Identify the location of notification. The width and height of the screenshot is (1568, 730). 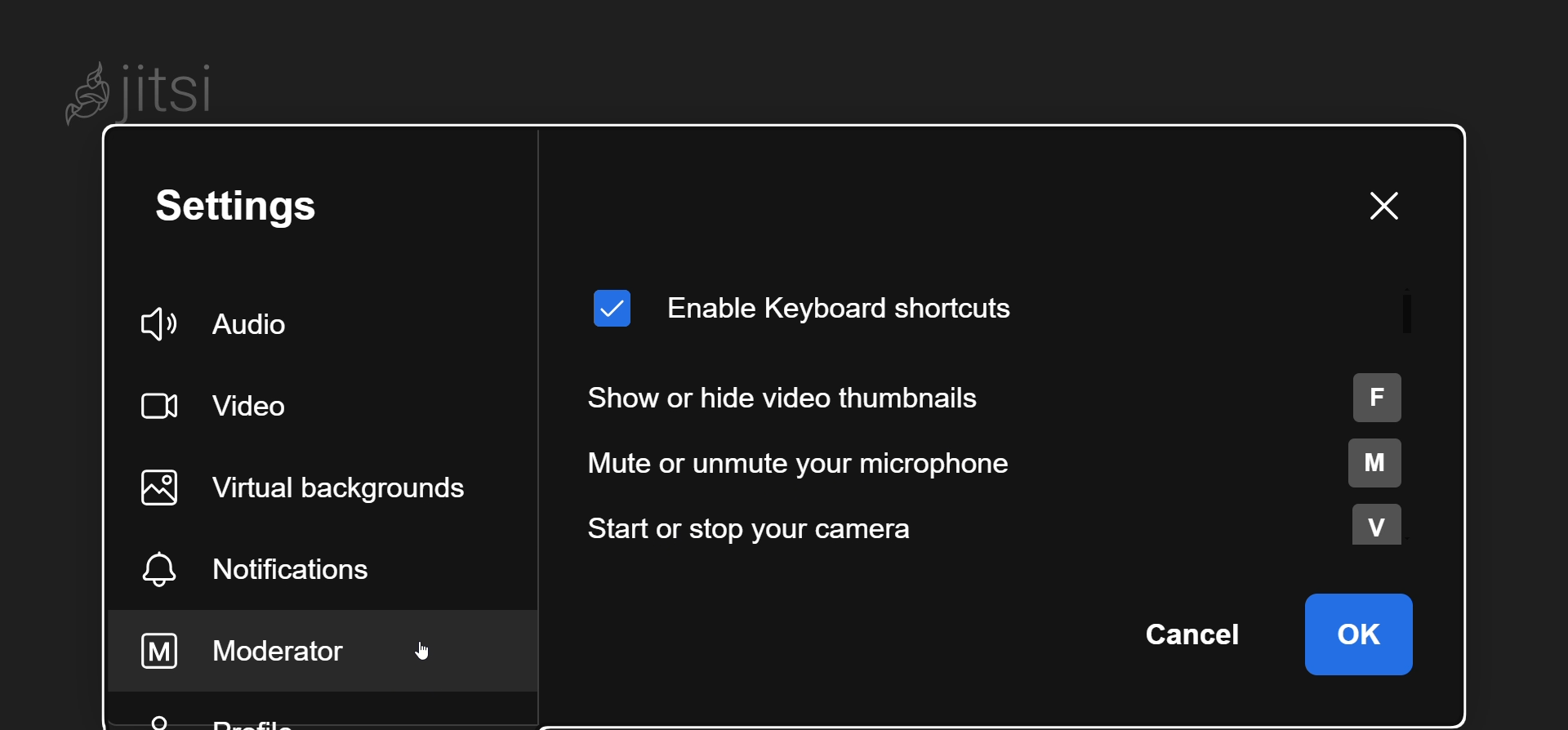
(300, 565).